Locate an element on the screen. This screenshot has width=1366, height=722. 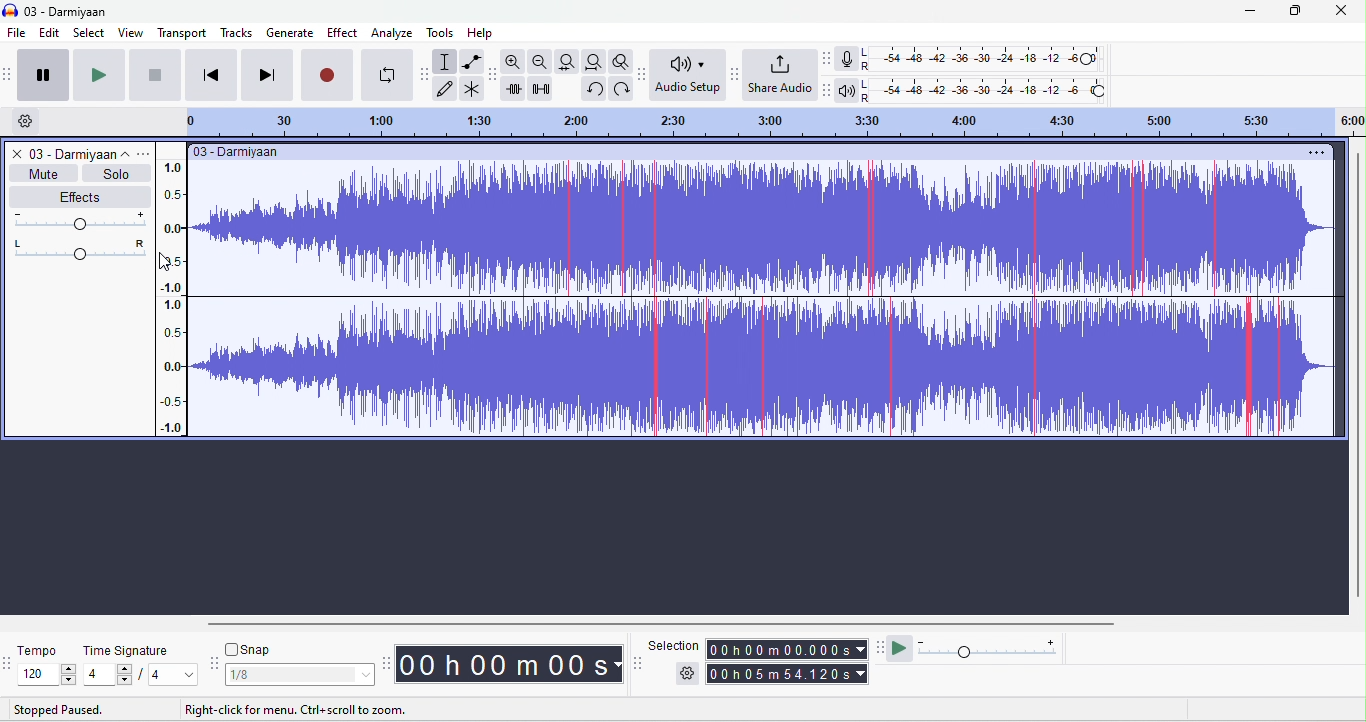
R is located at coordinates (867, 67).